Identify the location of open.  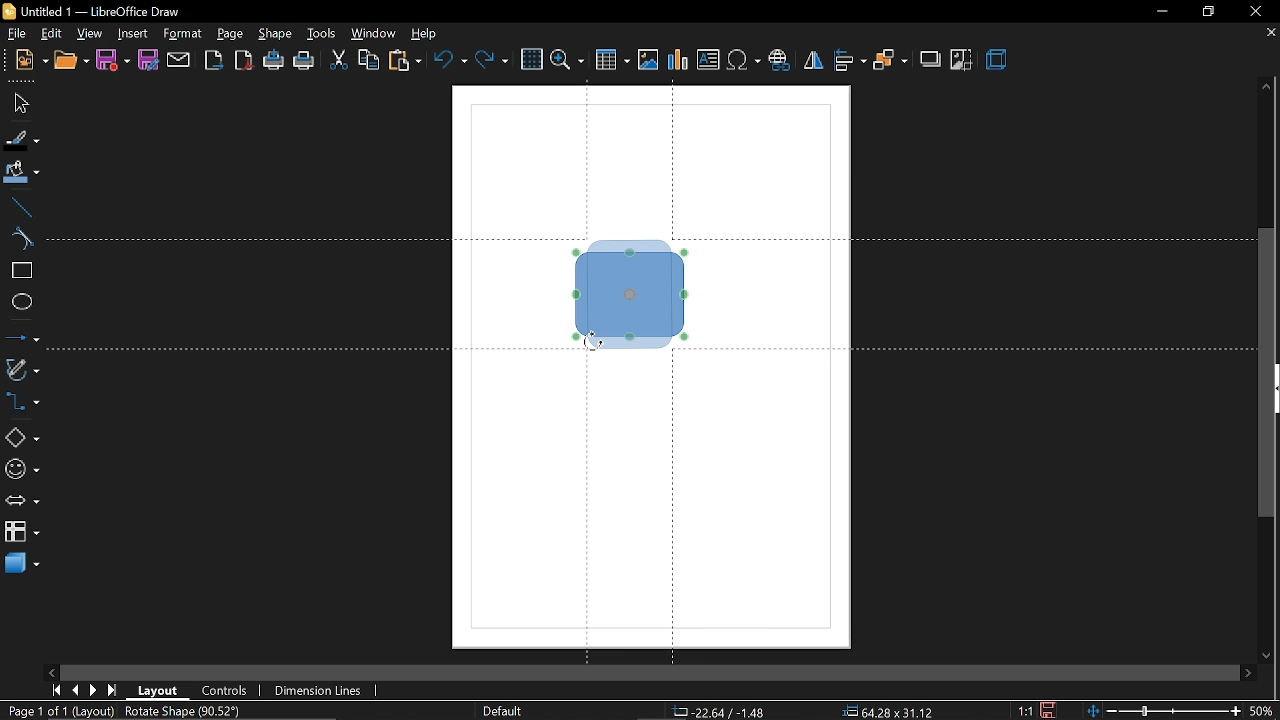
(72, 61).